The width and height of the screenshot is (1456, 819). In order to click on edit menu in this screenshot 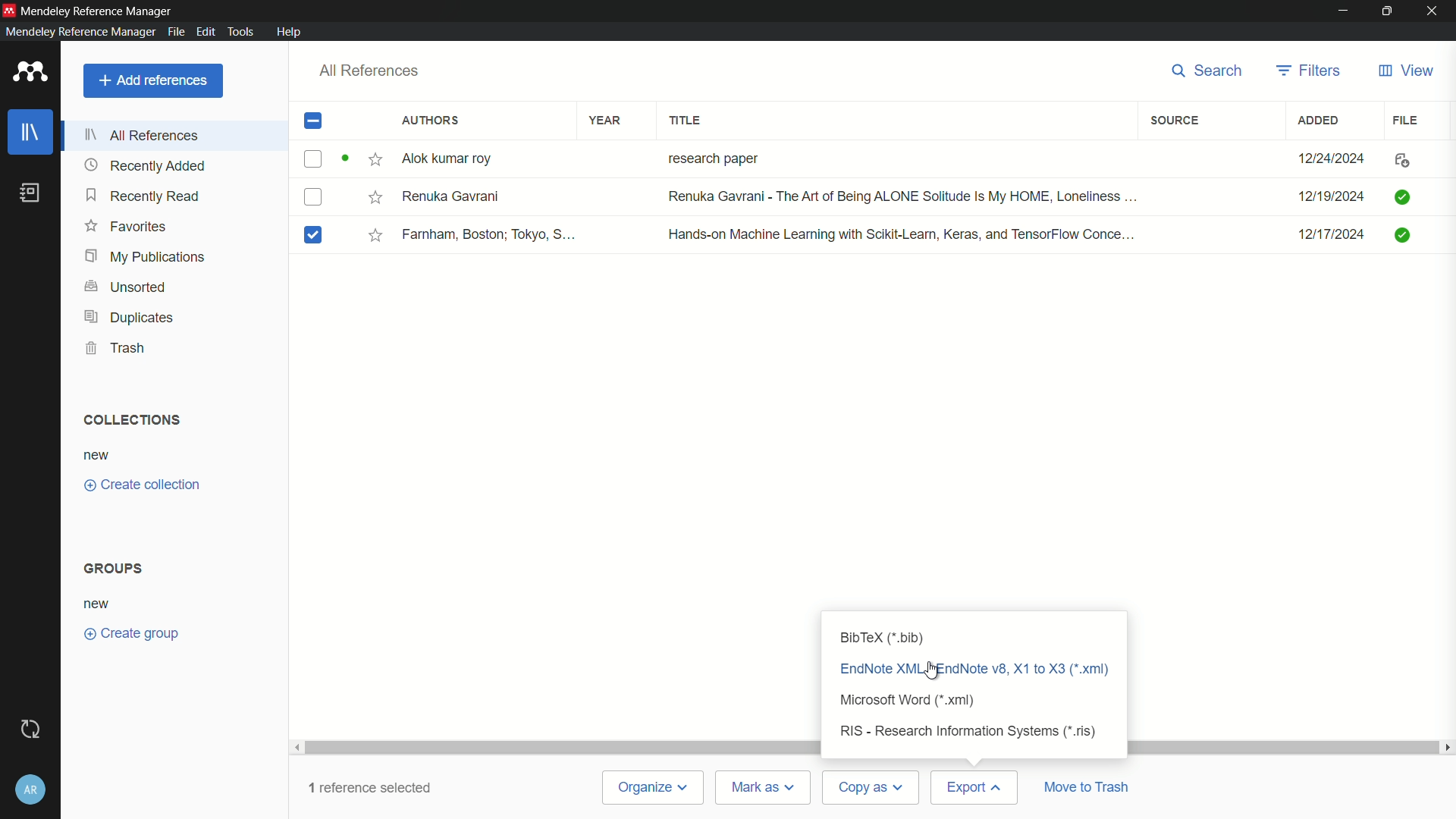, I will do `click(206, 32)`.